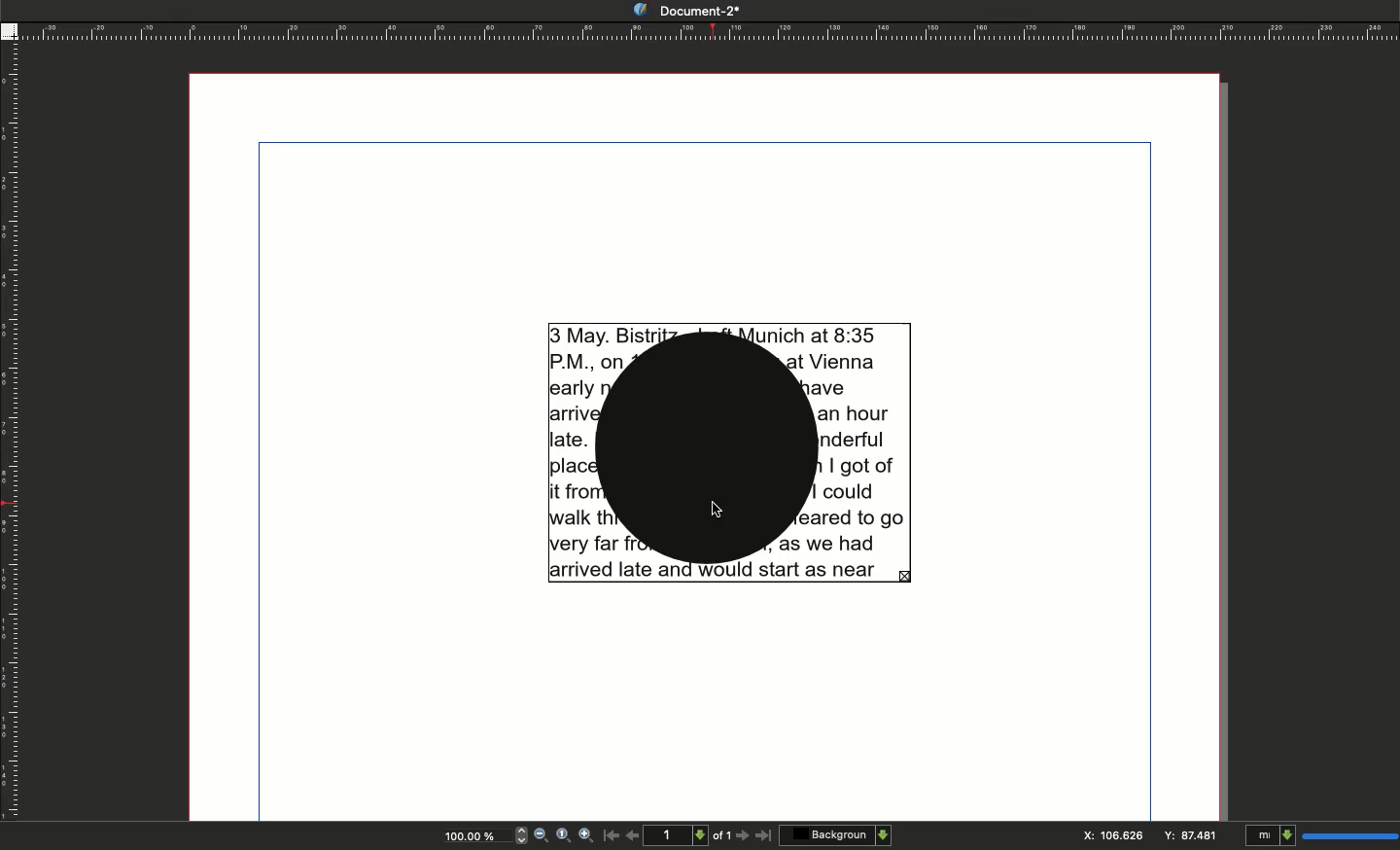 The image size is (1400, 850). I want to click on Last page, so click(764, 838).